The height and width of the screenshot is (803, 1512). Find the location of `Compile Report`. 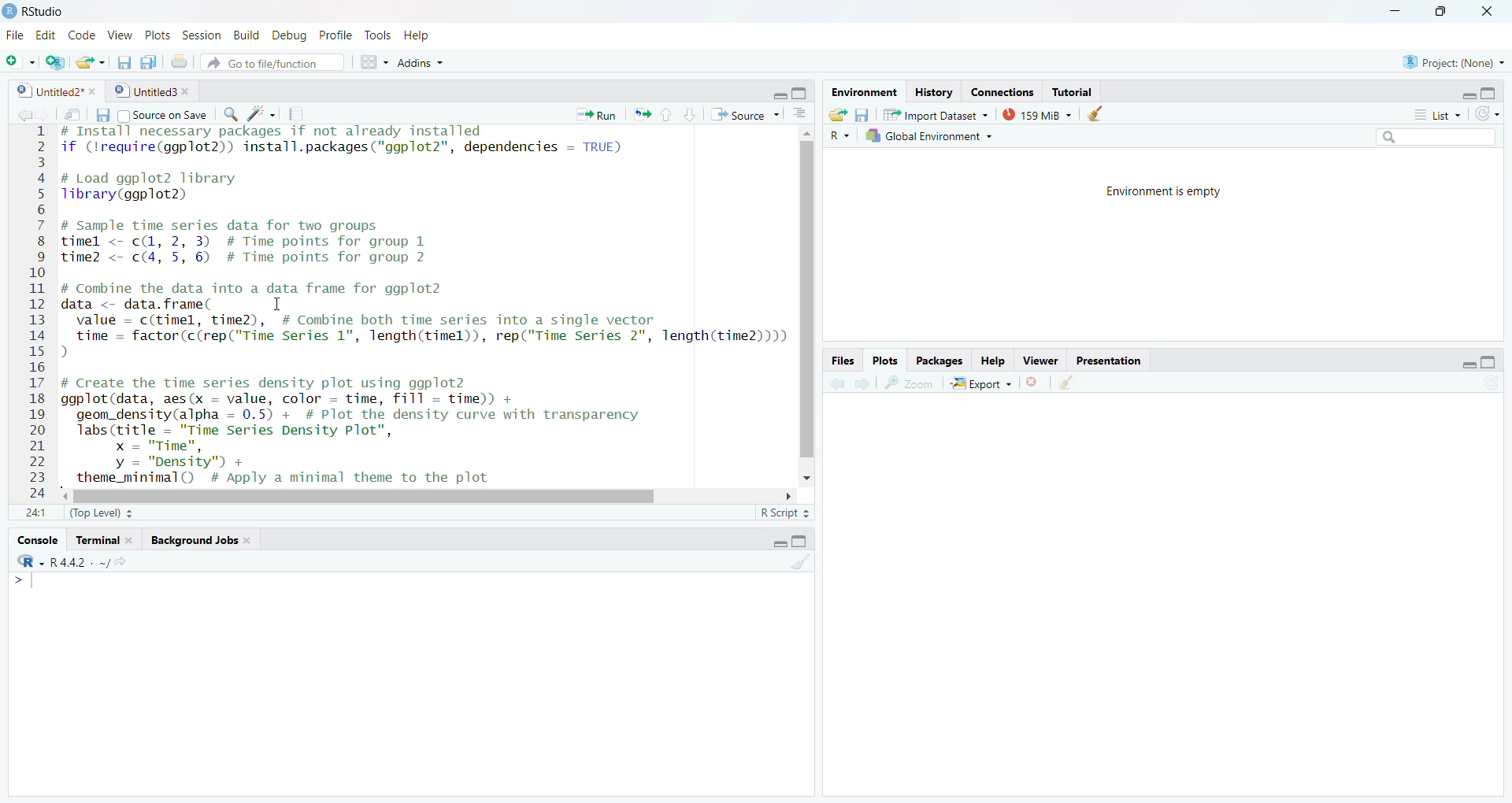

Compile Report is located at coordinates (296, 115).